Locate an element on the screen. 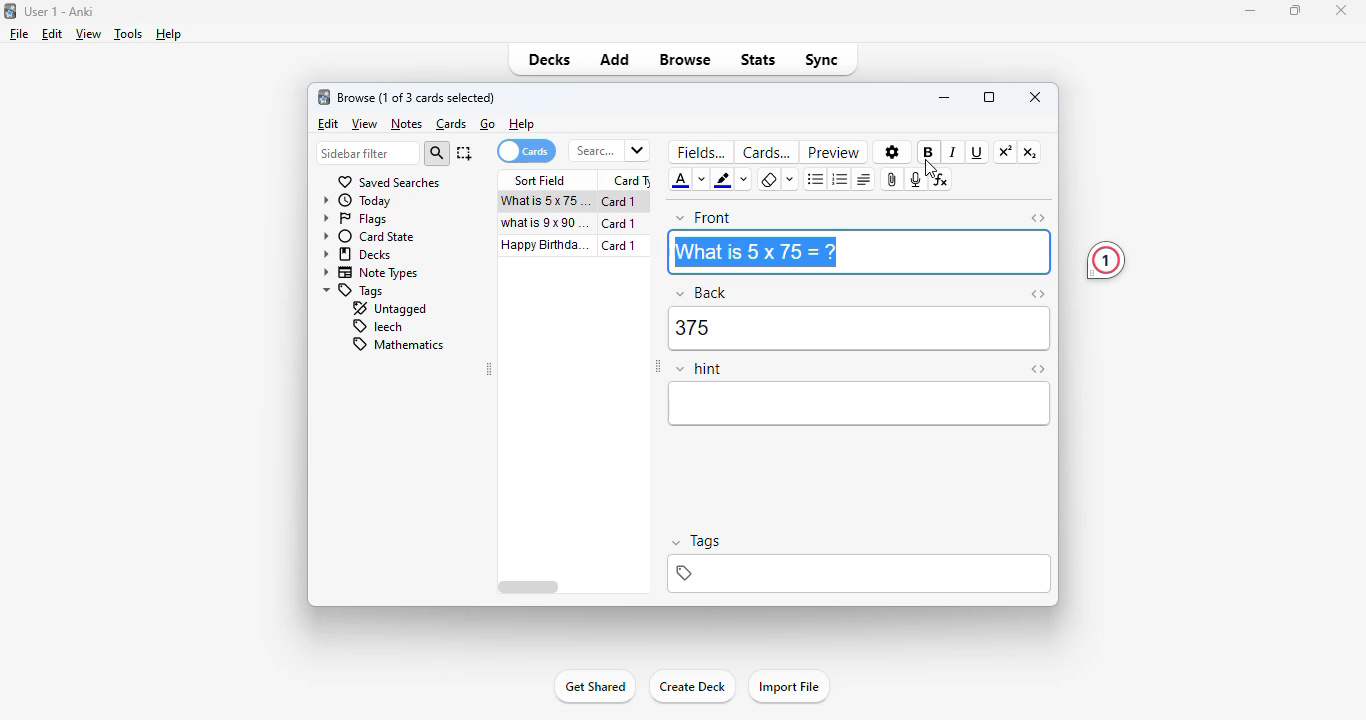 This screenshot has height=720, width=1366. flags is located at coordinates (354, 219).